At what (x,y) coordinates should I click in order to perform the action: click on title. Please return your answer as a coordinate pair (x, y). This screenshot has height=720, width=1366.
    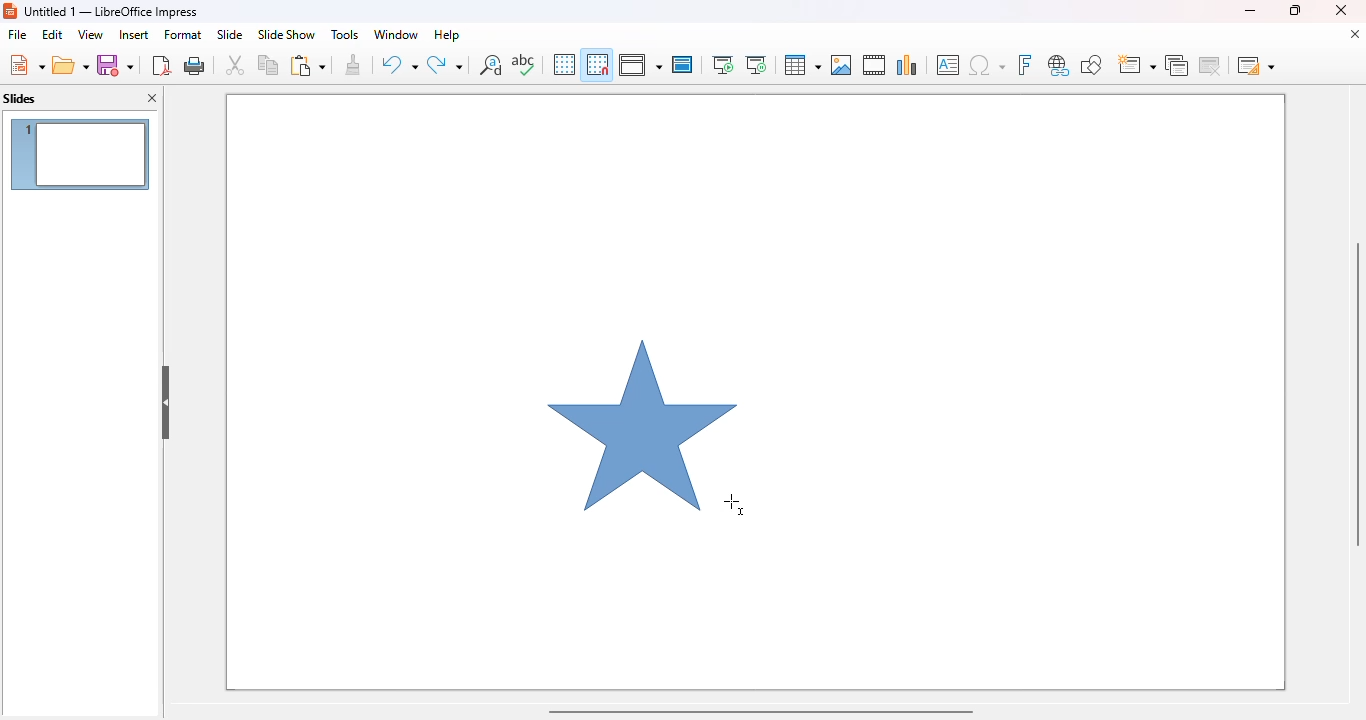
    Looking at the image, I should click on (112, 11).